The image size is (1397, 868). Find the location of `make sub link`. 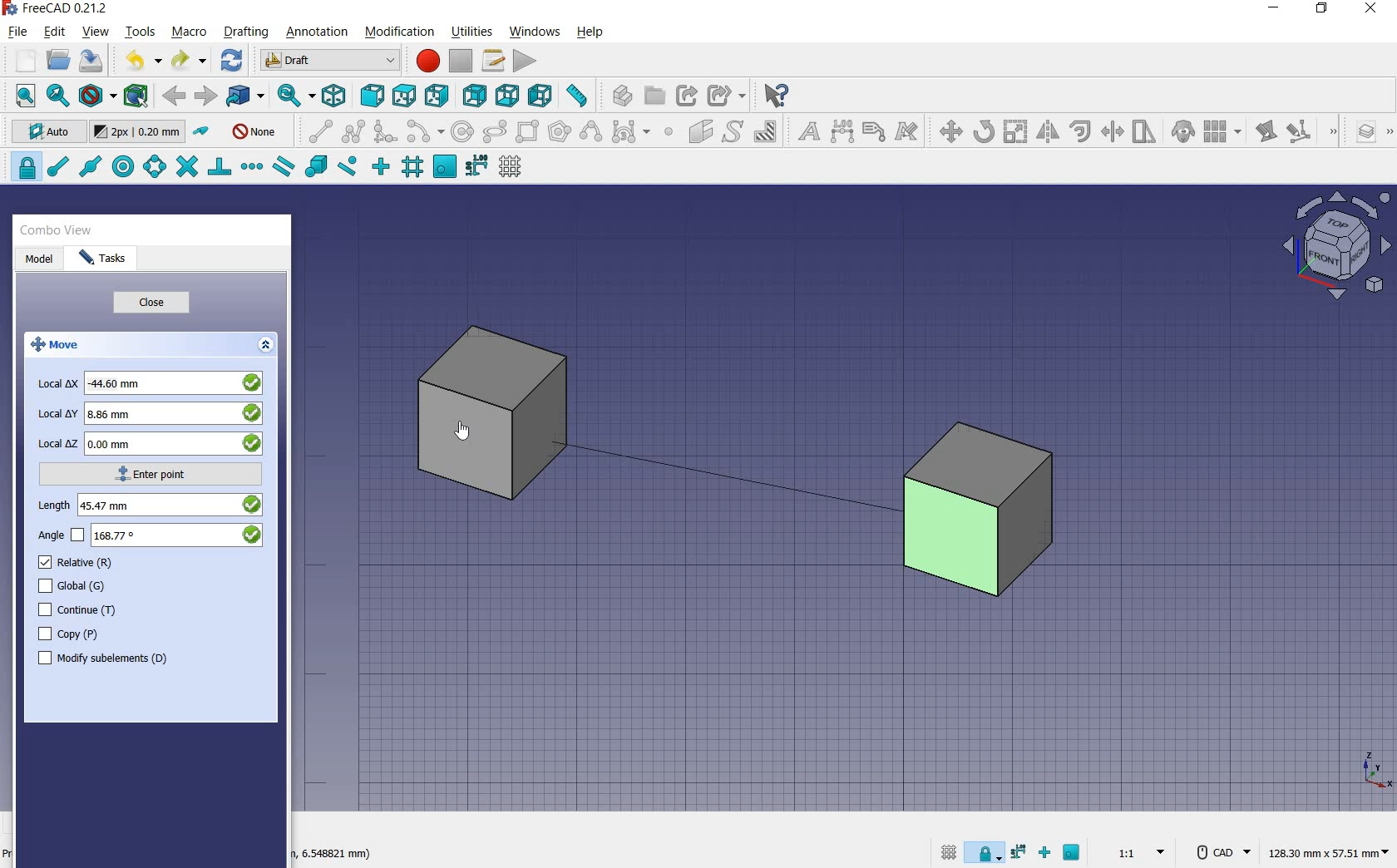

make sub link is located at coordinates (726, 96).